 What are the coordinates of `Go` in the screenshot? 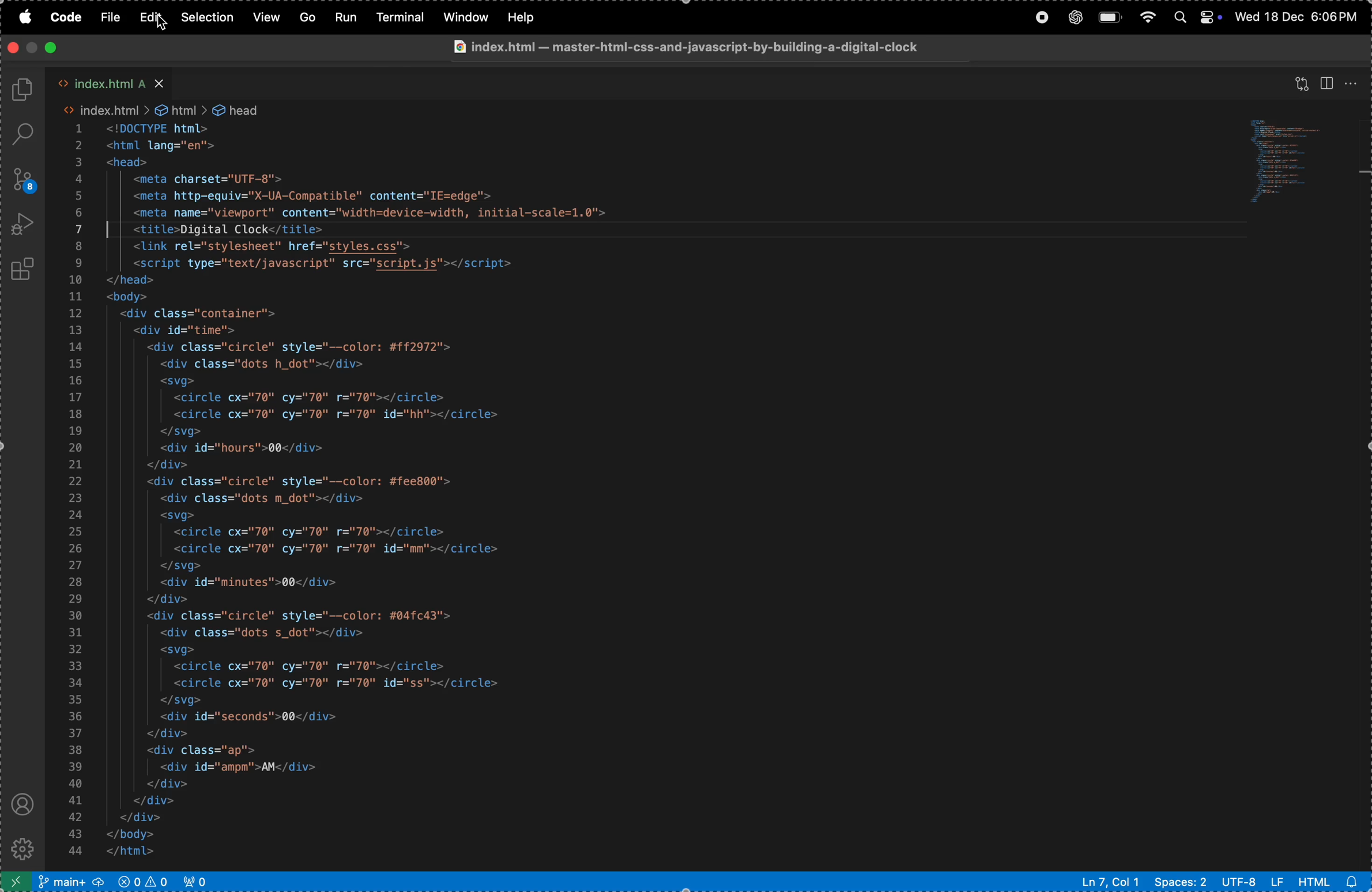 It's located at (306, 18).